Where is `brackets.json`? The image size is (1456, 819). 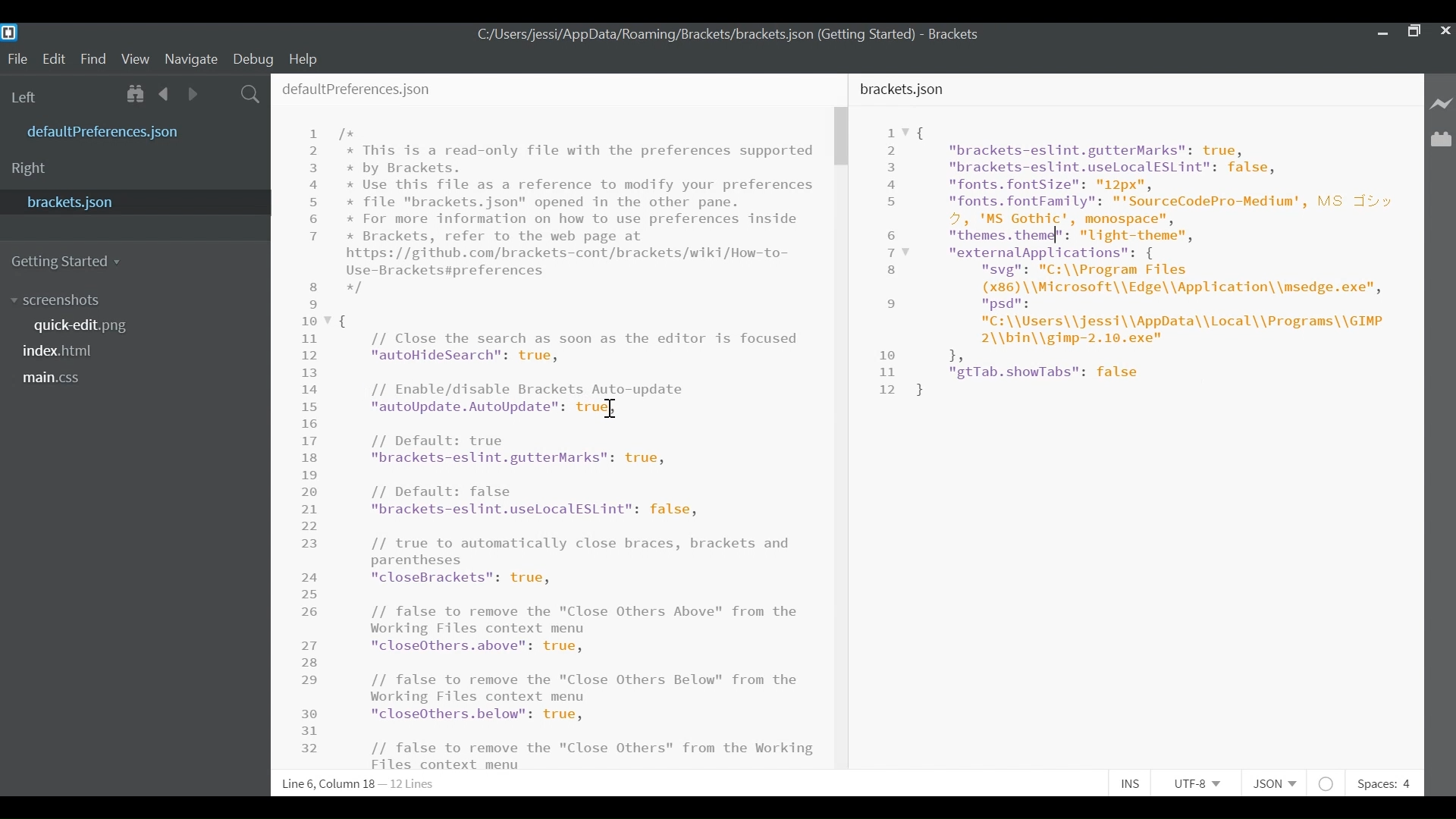
brackets.json is located at coordinates (131, 202).